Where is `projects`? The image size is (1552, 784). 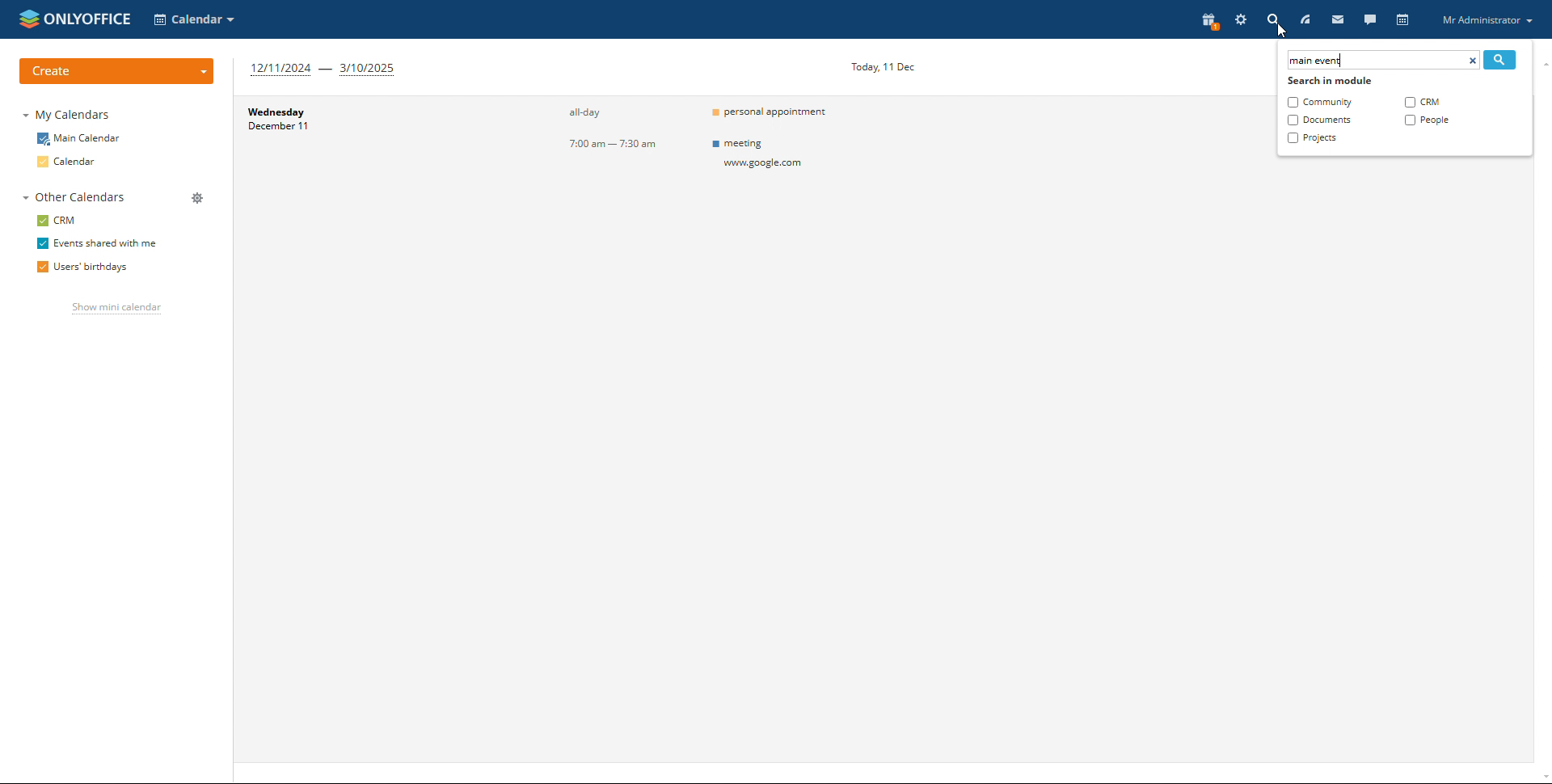
projects is located at coordinates (1313, 138).